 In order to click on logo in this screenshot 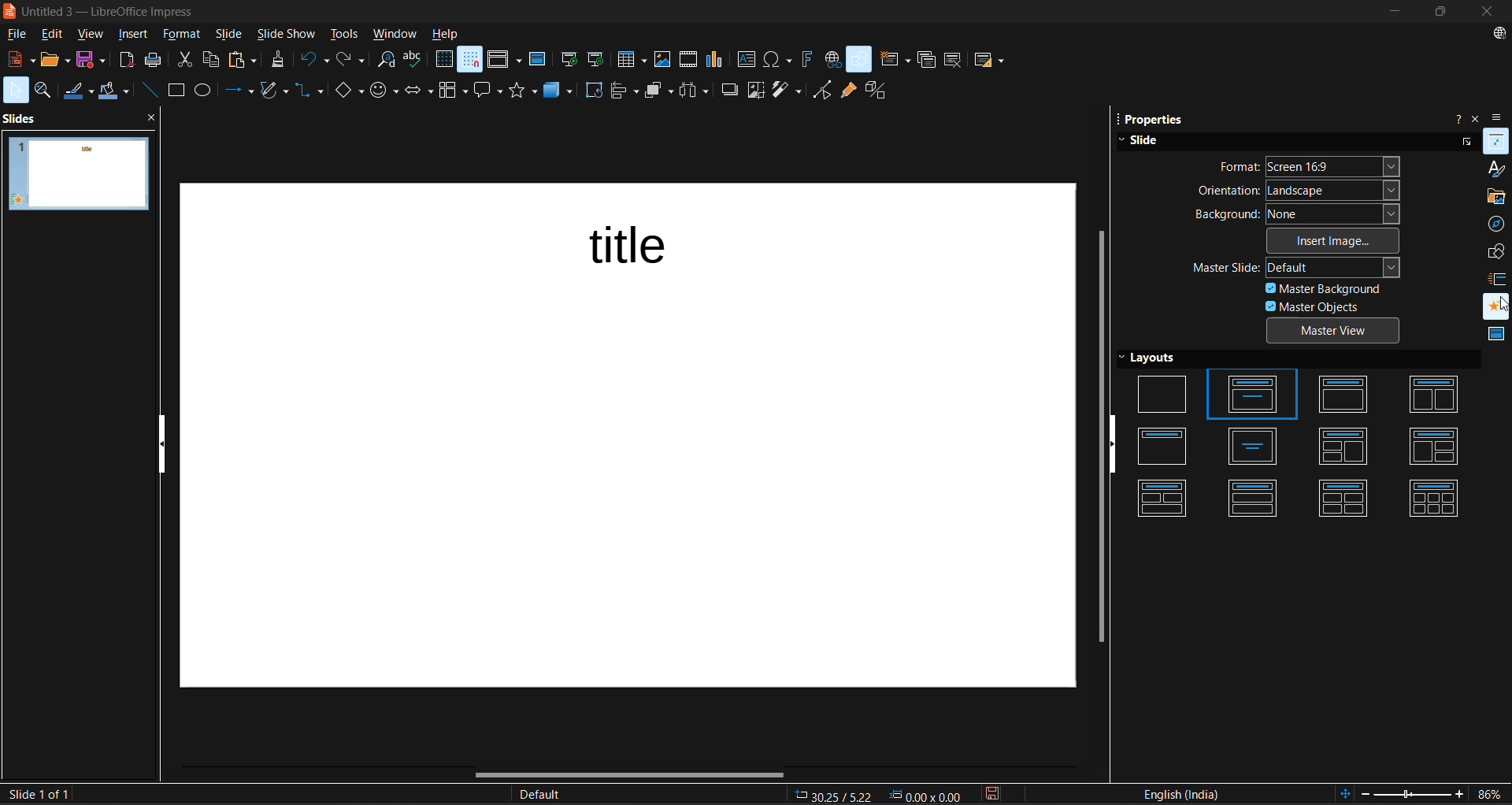, I will do `click(9, 10)`.